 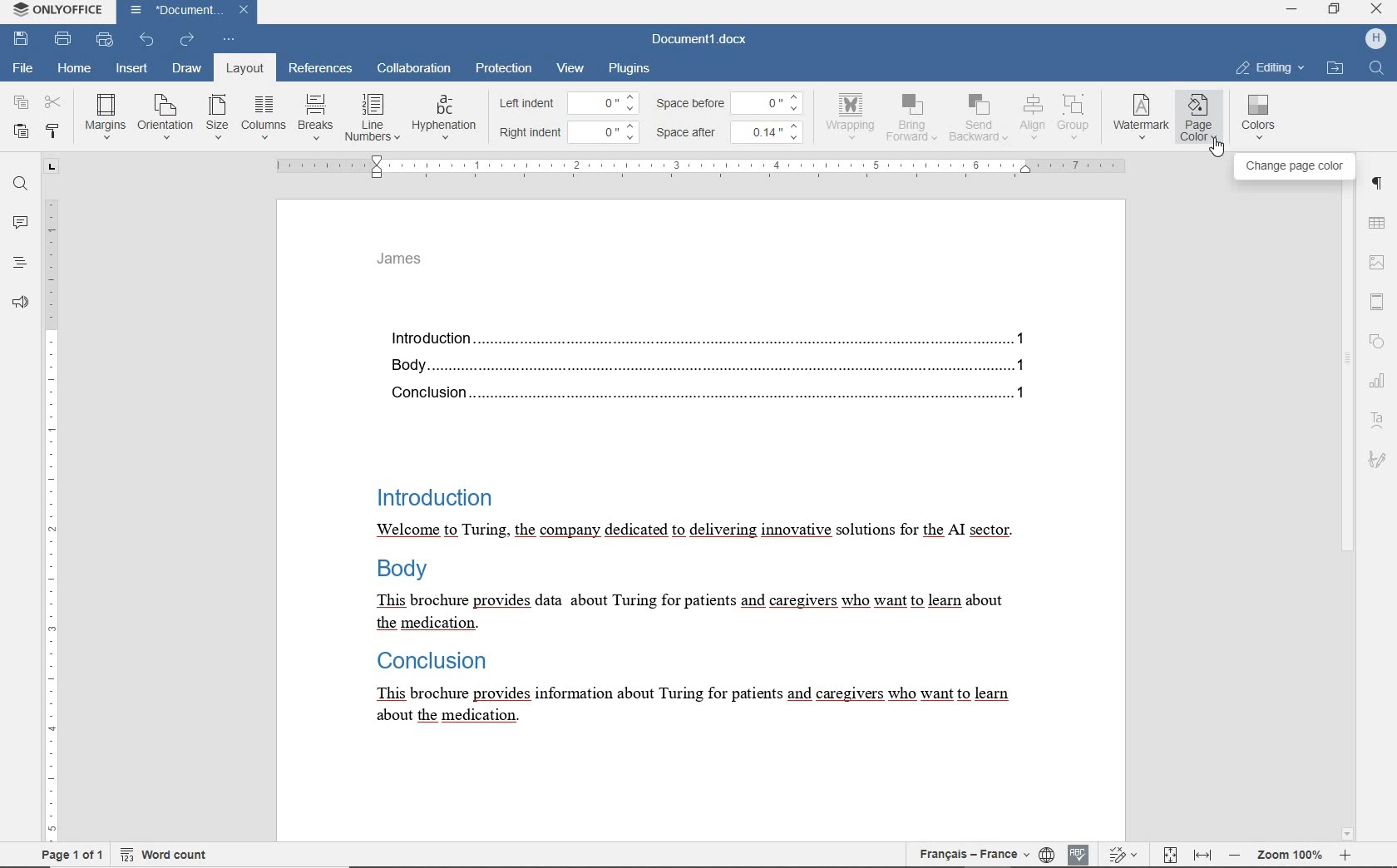 I want to click on layout, so click(x=247, y=67).